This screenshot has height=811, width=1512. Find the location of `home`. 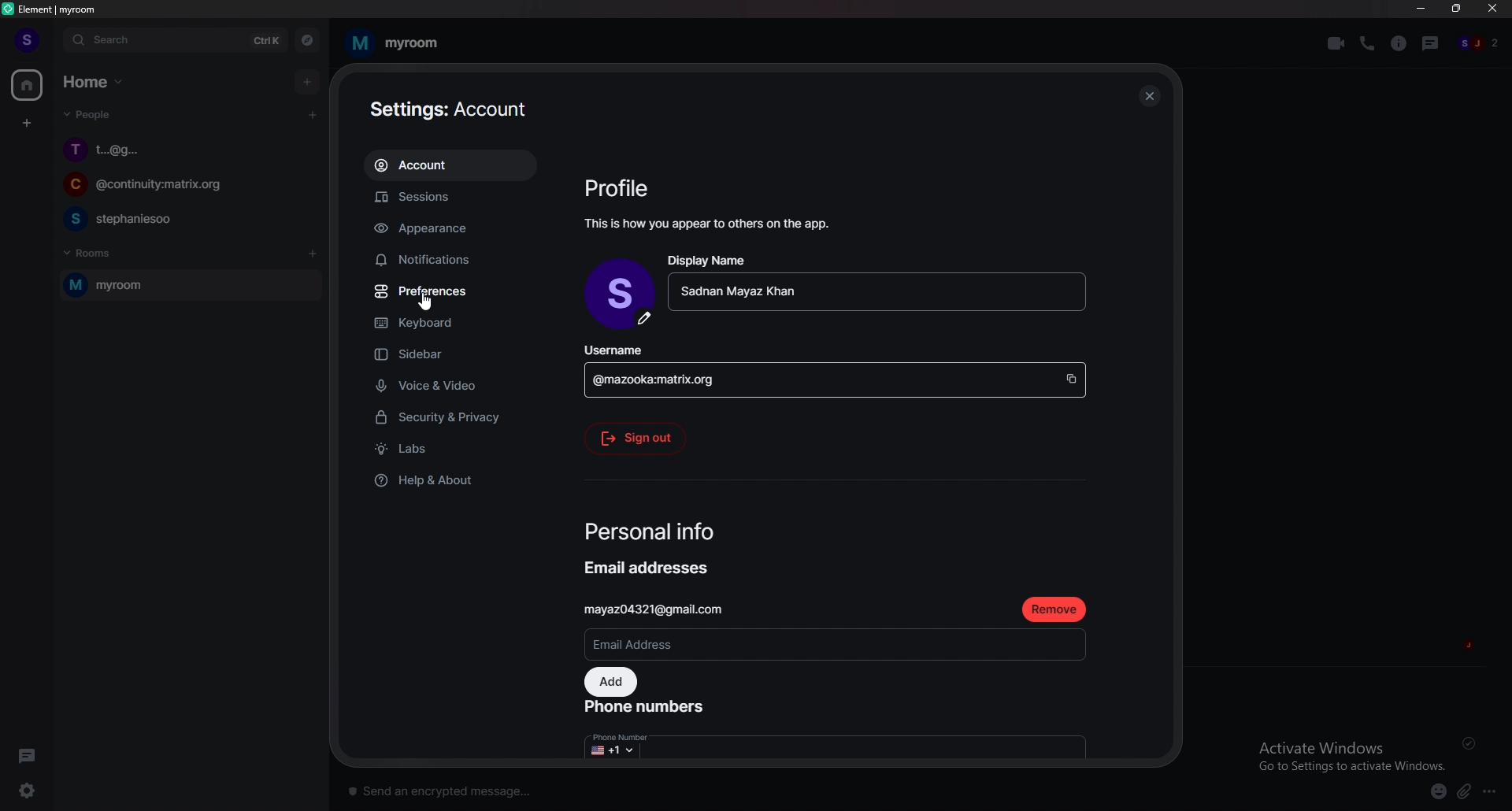

home is located at coordinates (28, 86).